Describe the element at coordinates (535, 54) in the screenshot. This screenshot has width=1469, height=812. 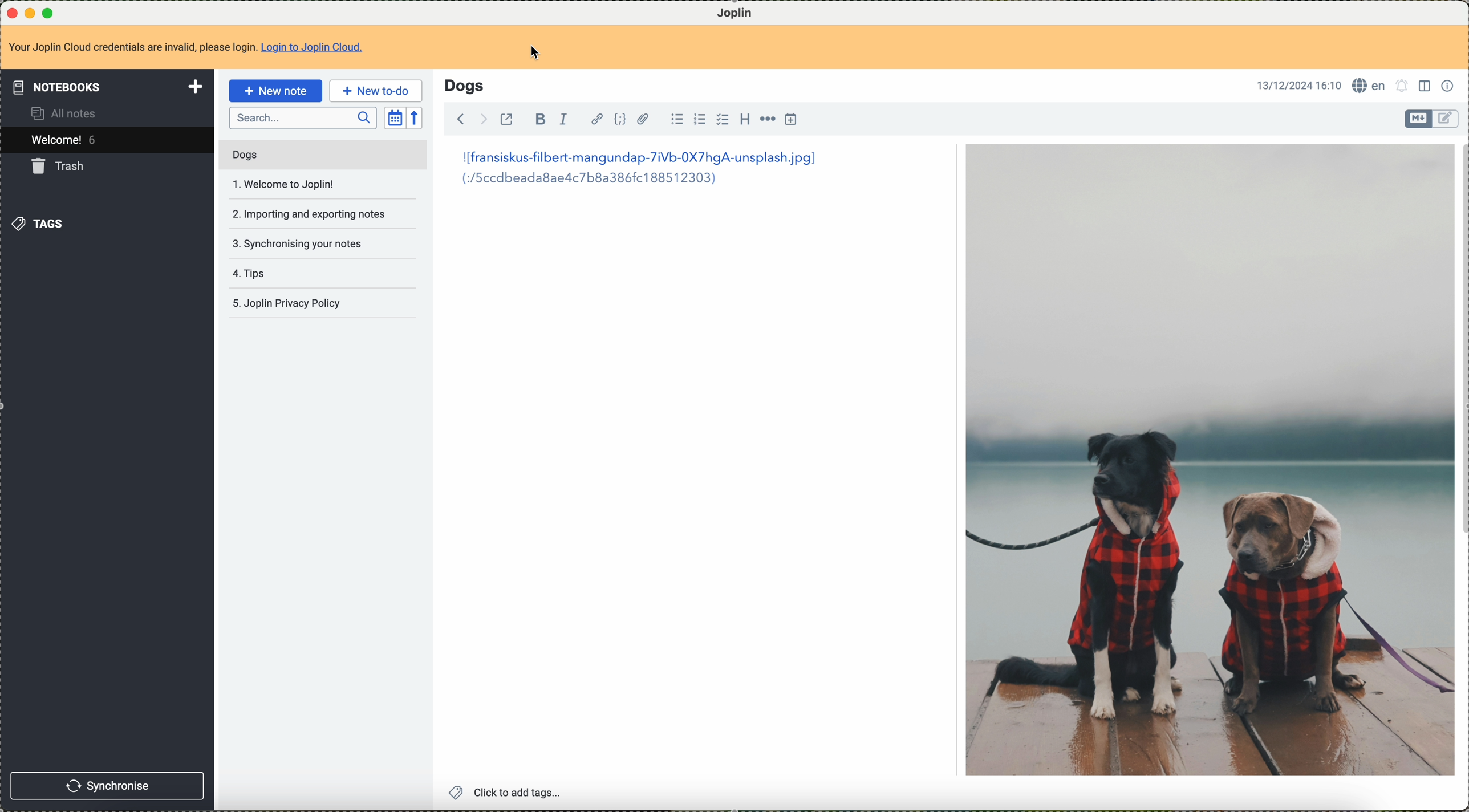
I see `cursor` at that location.